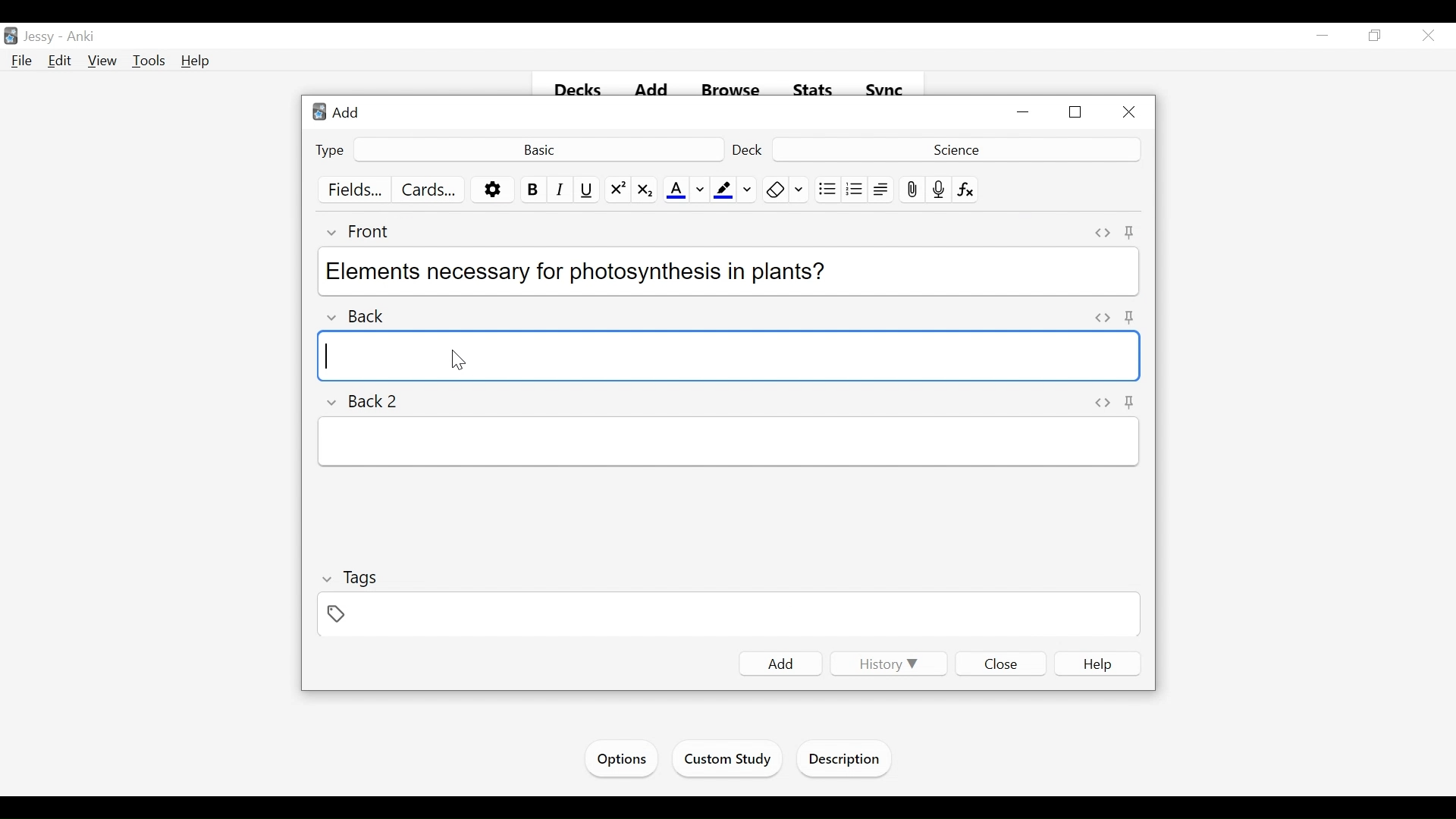  Describe the element at coordinates (800, 190) in the screenshot. I see `Change color` at that location.